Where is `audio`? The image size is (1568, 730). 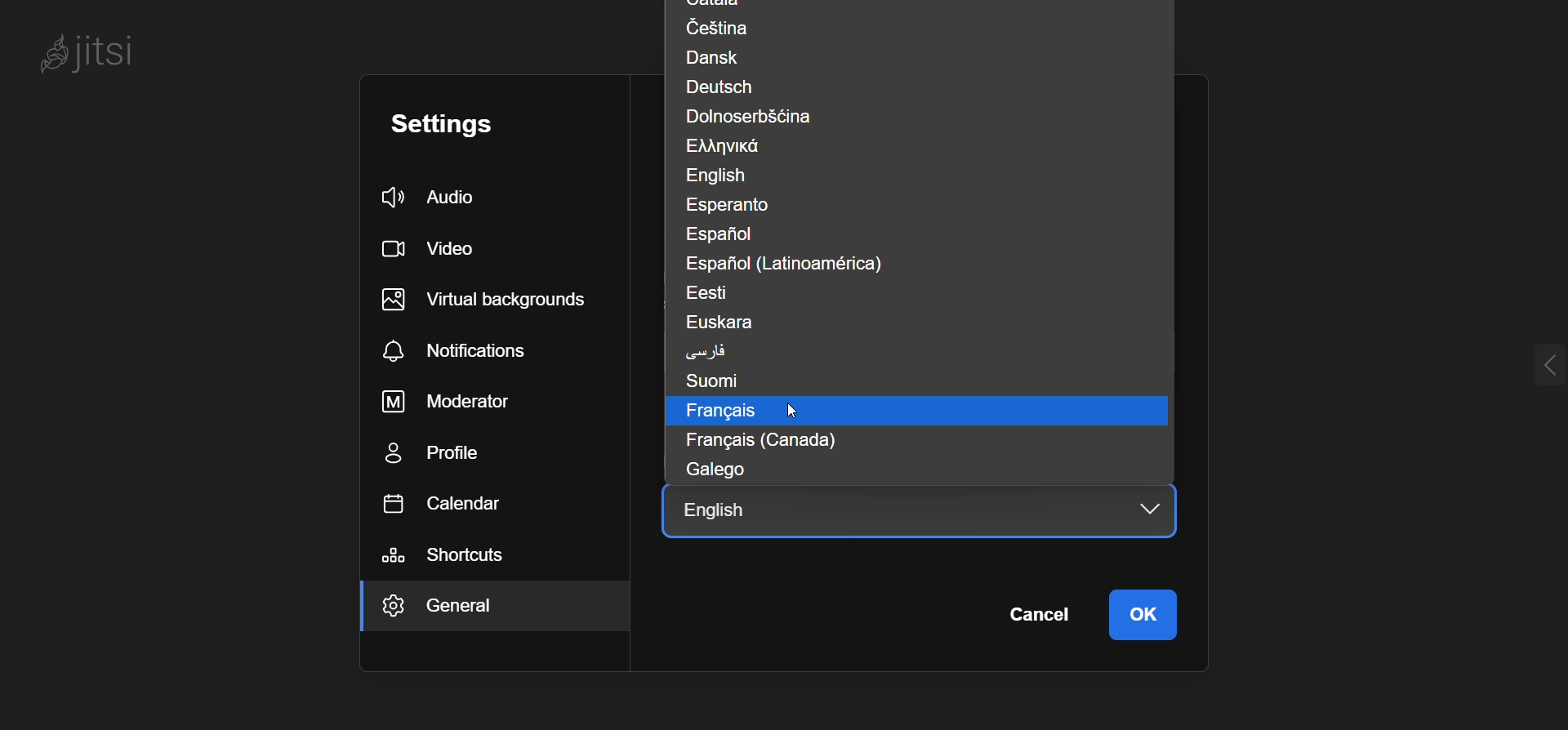 audio is located at coordinates (445, 195).